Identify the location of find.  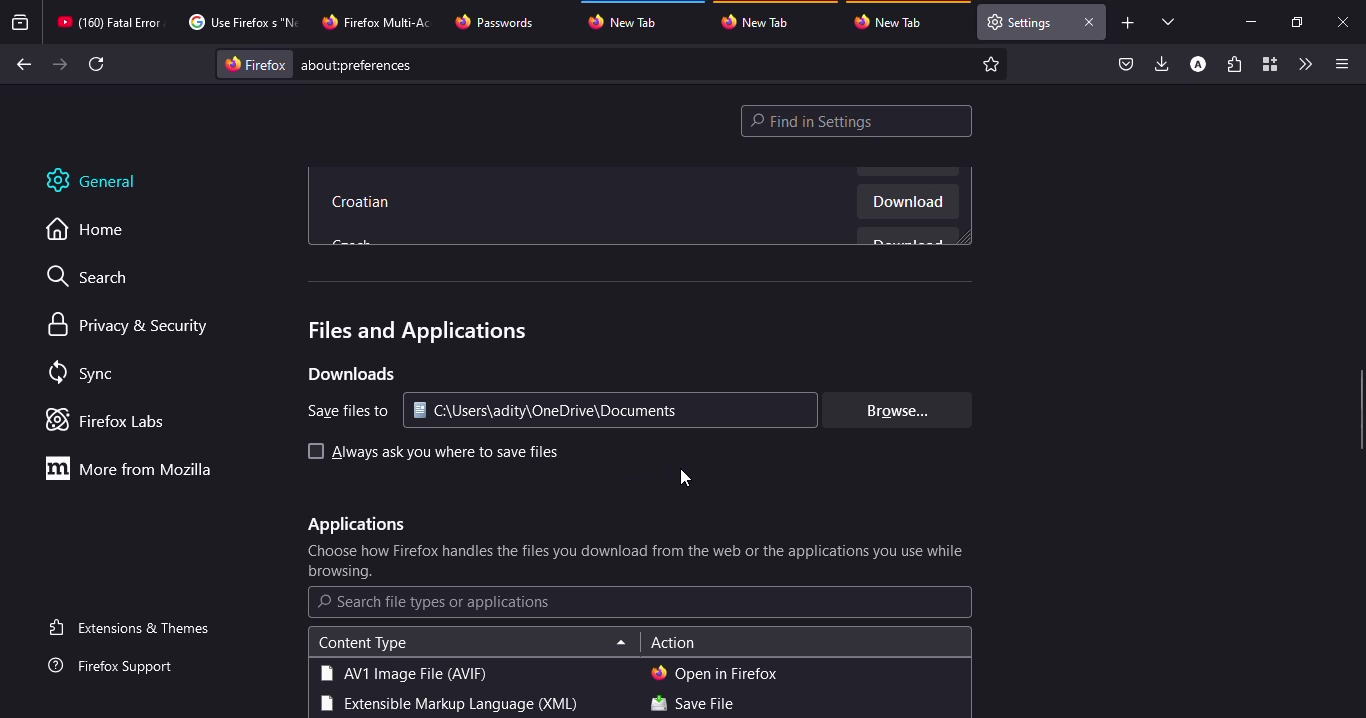
(857, 121).